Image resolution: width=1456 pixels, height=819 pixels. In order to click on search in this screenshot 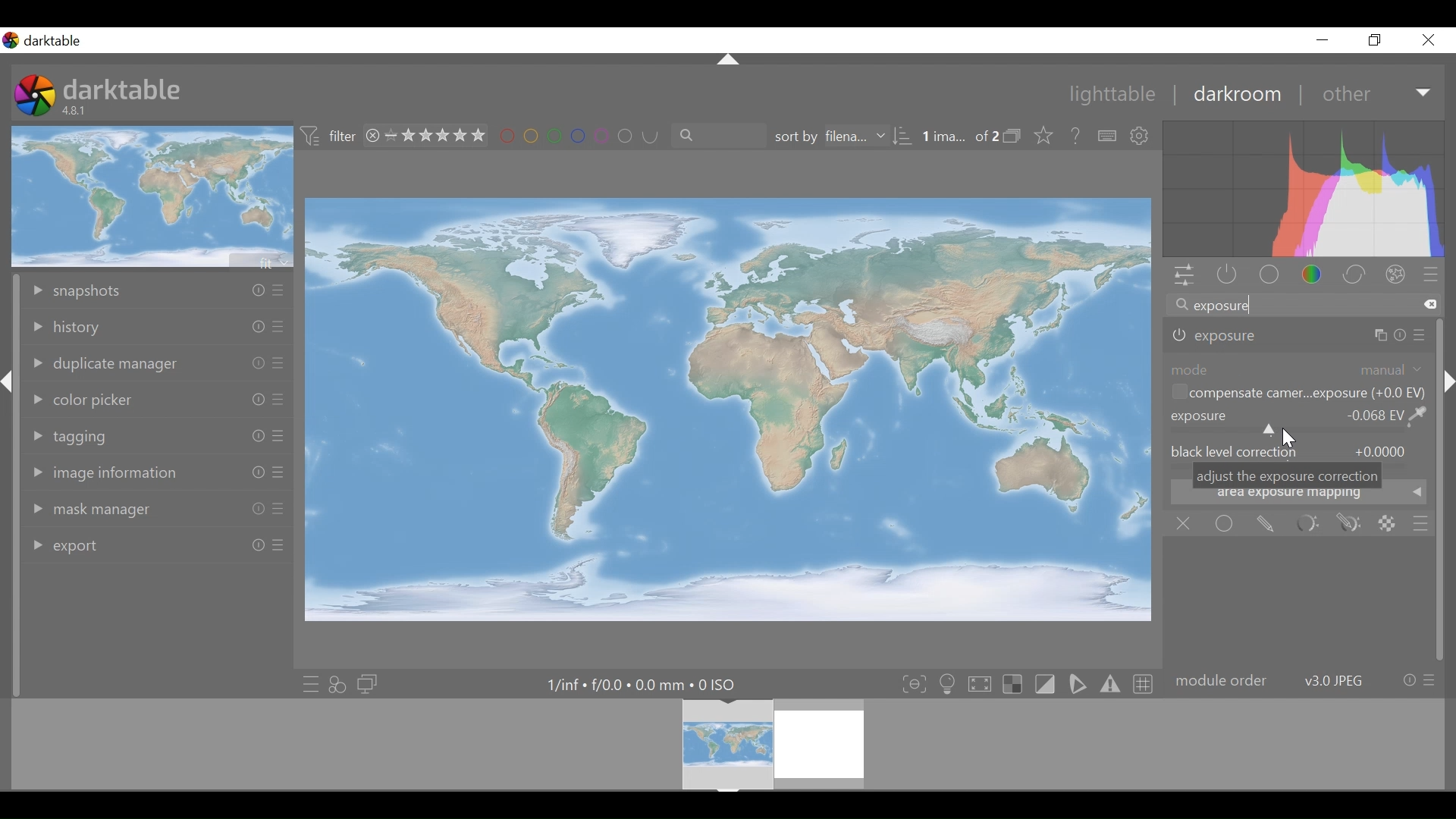, I will do `click(713, 135)`.